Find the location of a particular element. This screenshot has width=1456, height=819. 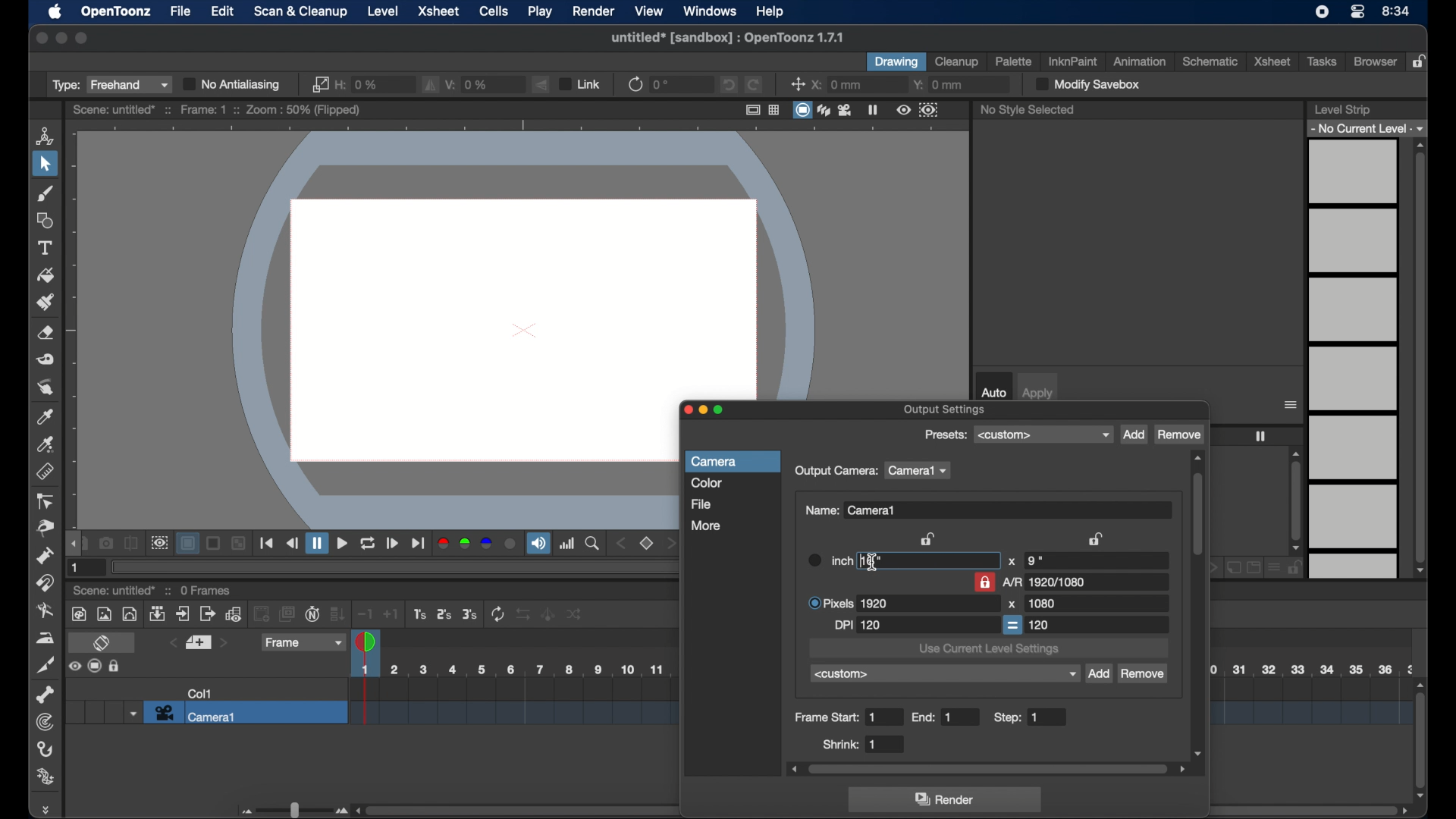

 is located at coordinates (1277, 569).